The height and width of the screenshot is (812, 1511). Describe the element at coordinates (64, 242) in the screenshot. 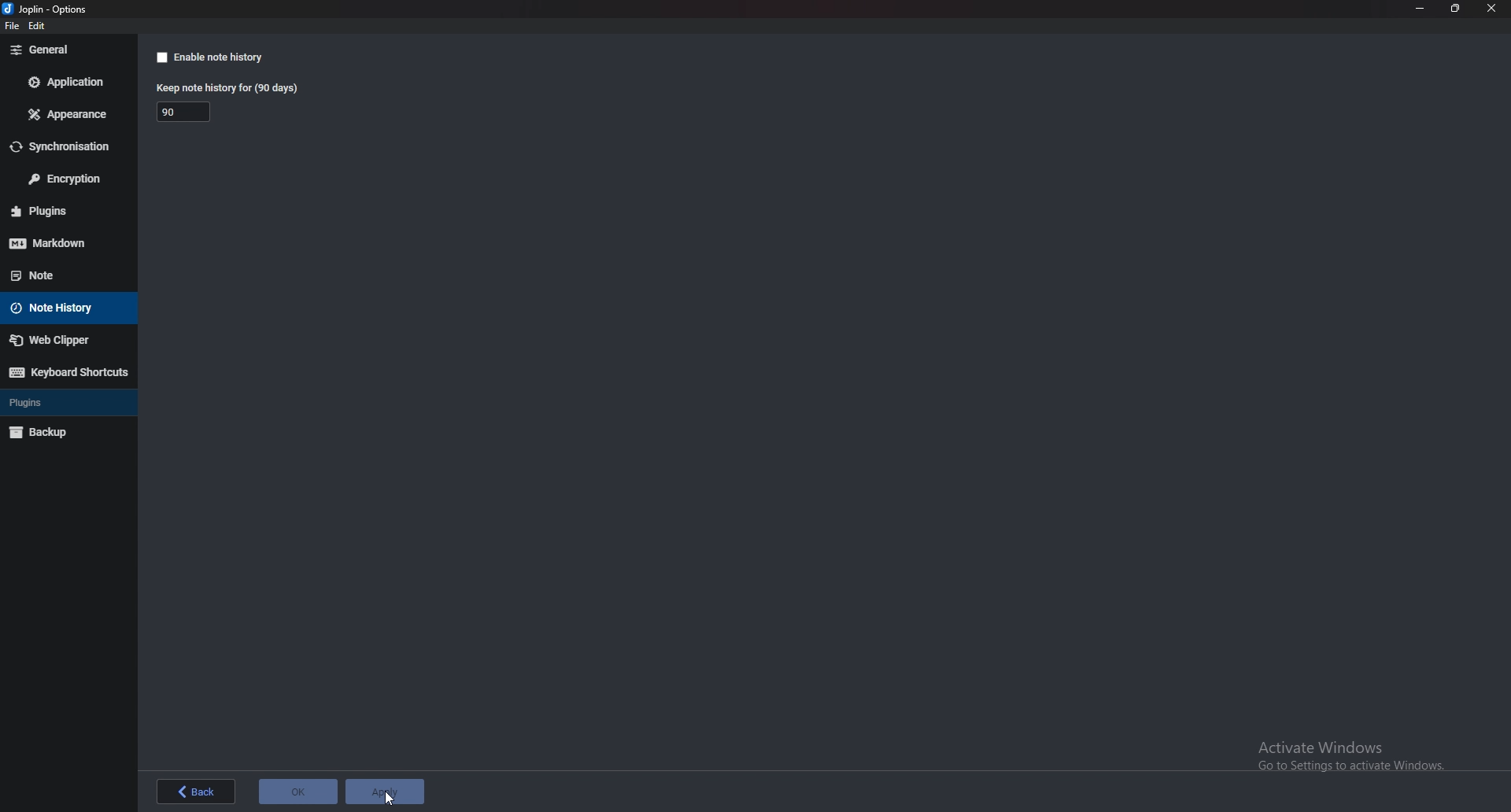

I see `Mark down` at that location.